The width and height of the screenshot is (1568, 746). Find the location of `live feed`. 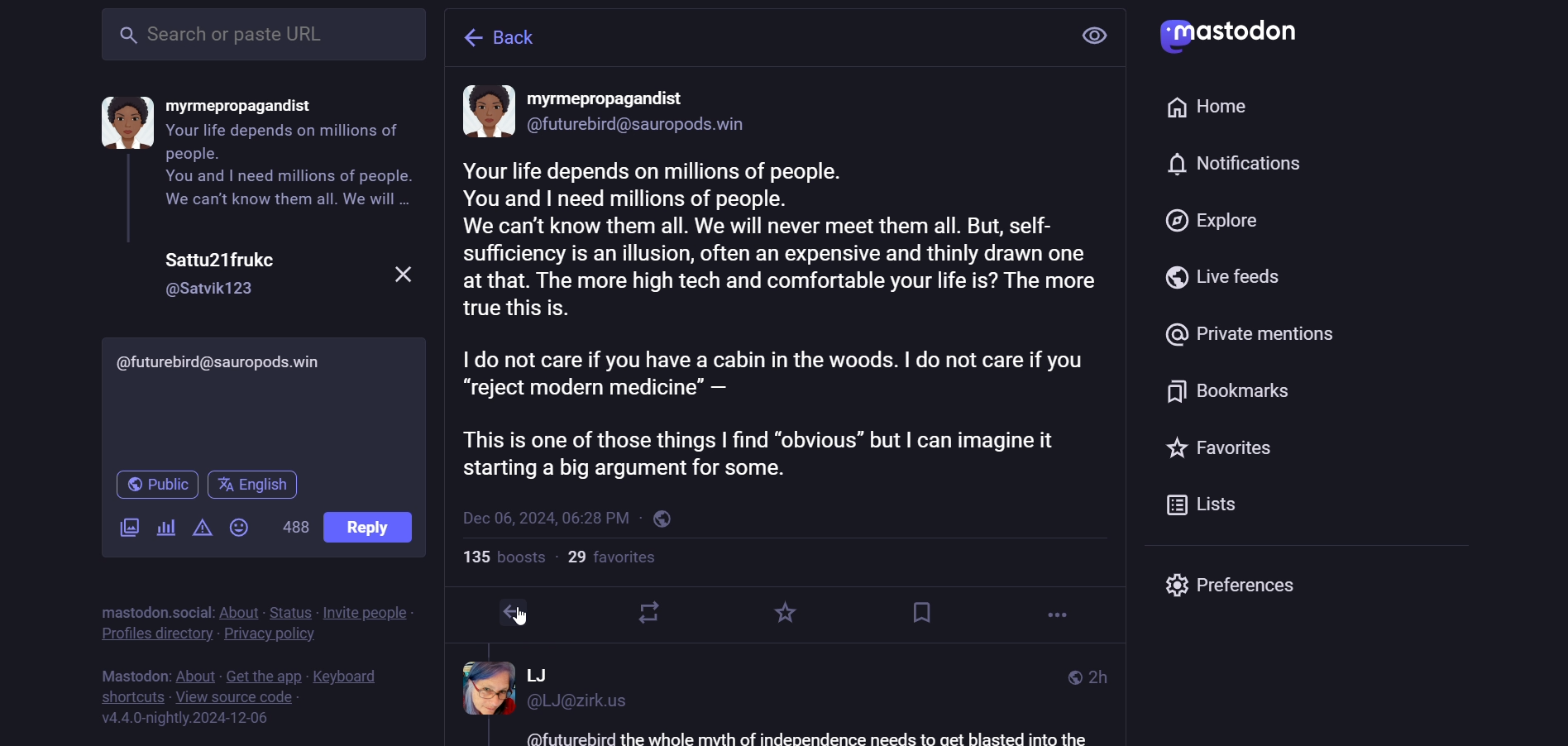

live feed is located at coordinates (1224, 276).